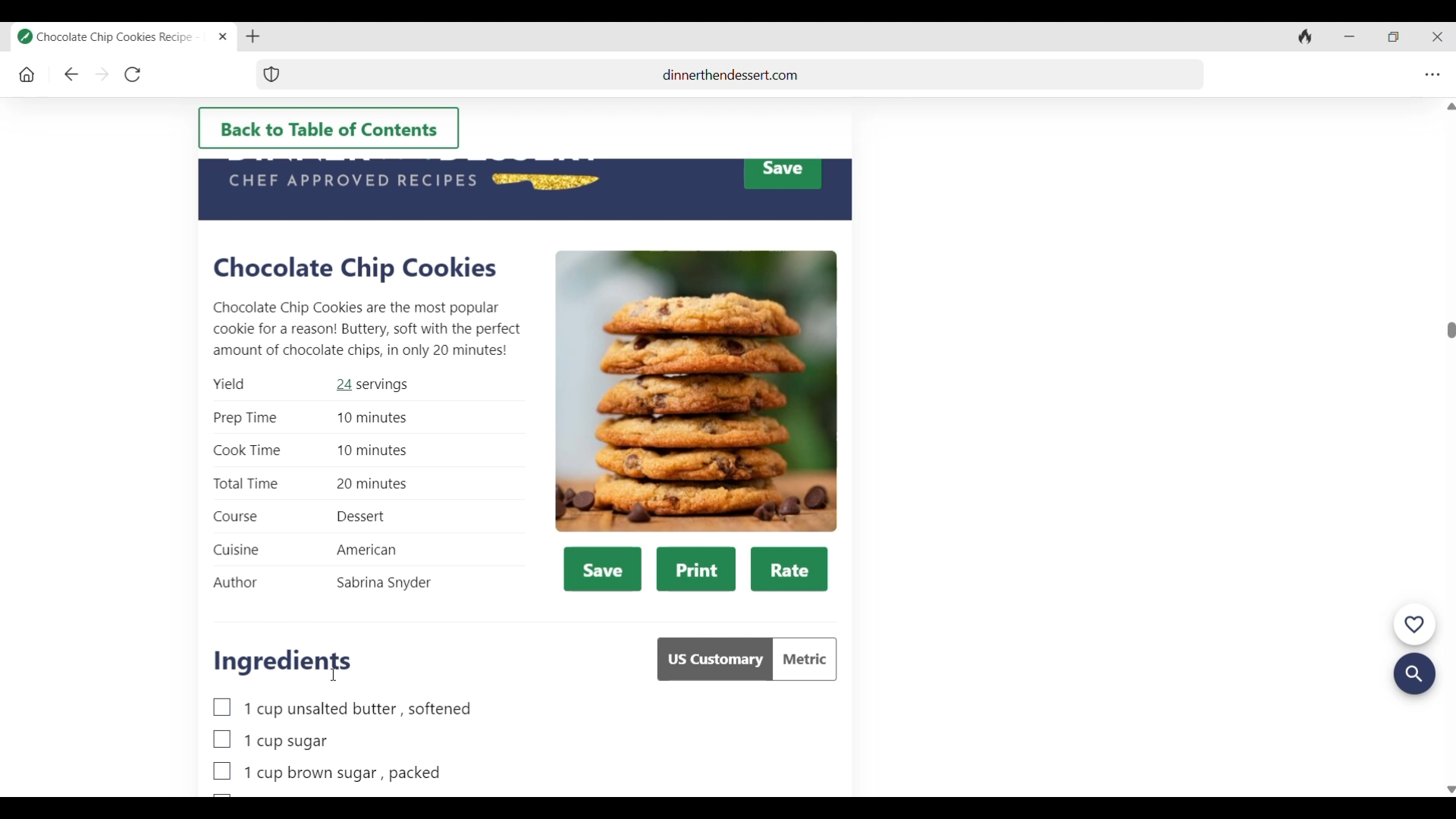 This screenshot has height=819, width=1456. Describe the element at coordinates (1435, 38) in the screenshot. I see `Close interface` at that location.